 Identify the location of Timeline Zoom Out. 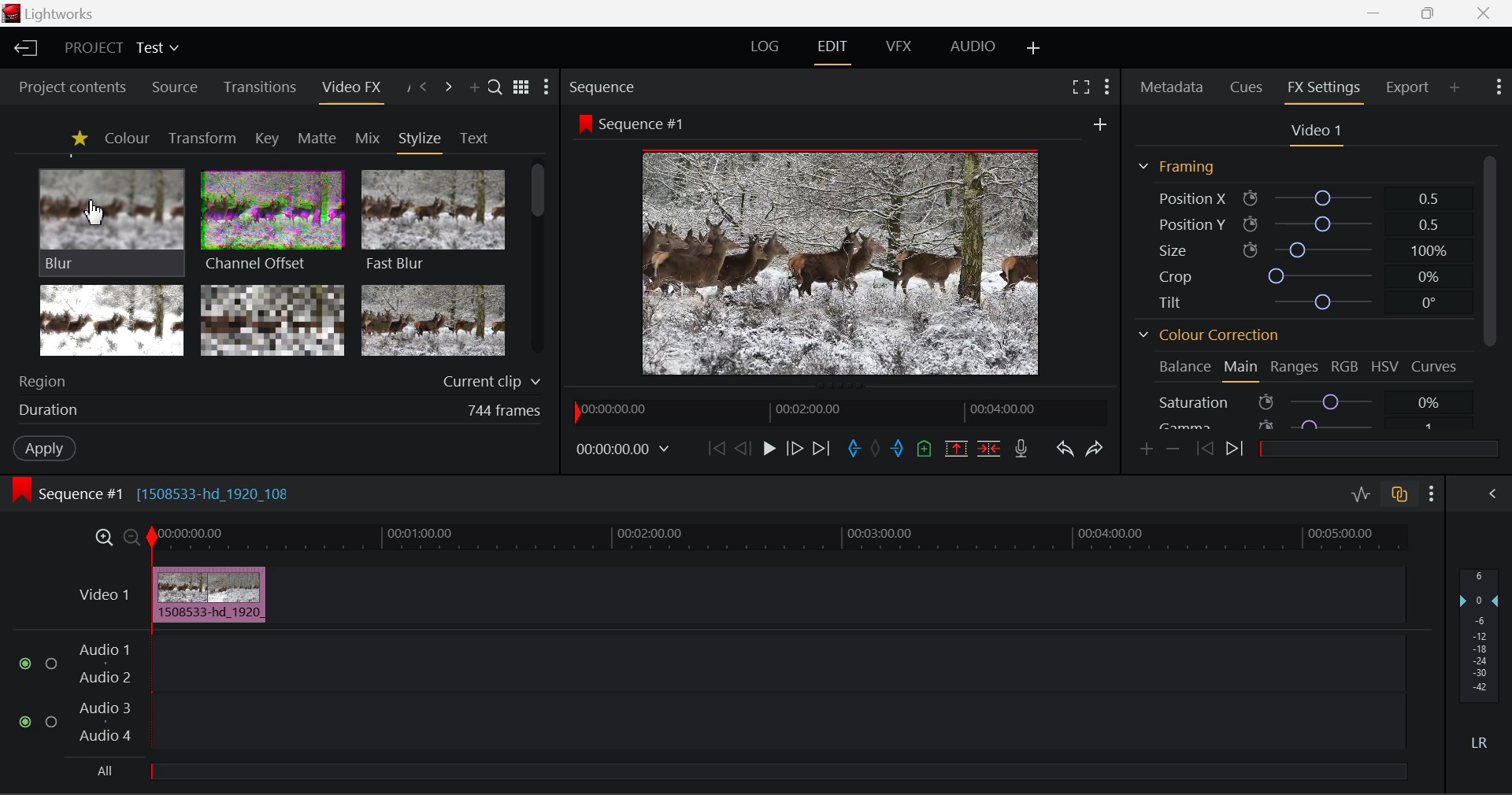
(131, 536).